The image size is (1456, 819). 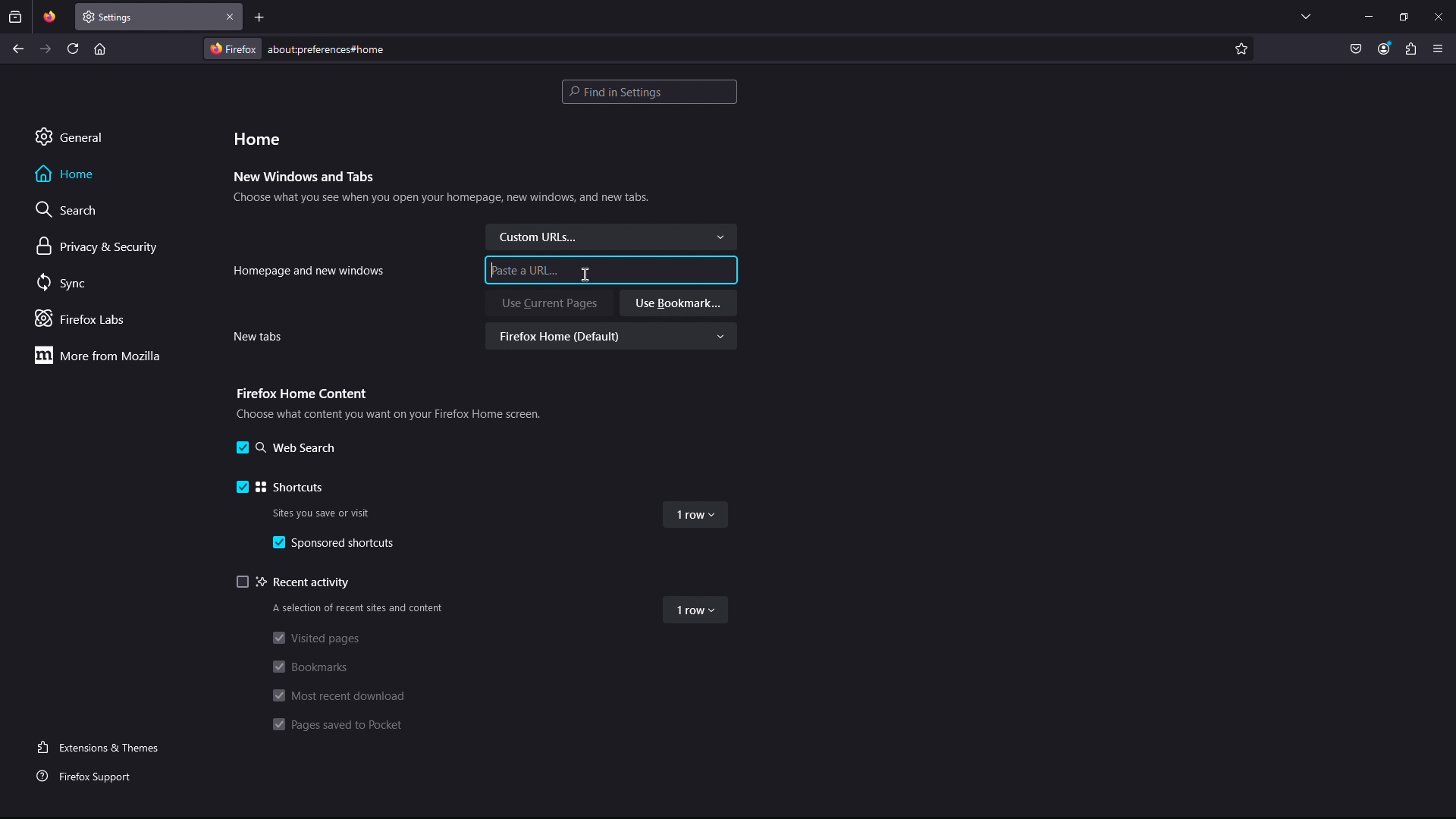 What do you see at coordinates (257, 137) in the screenshot?
I see `Home` at bounding box center [257, 137].